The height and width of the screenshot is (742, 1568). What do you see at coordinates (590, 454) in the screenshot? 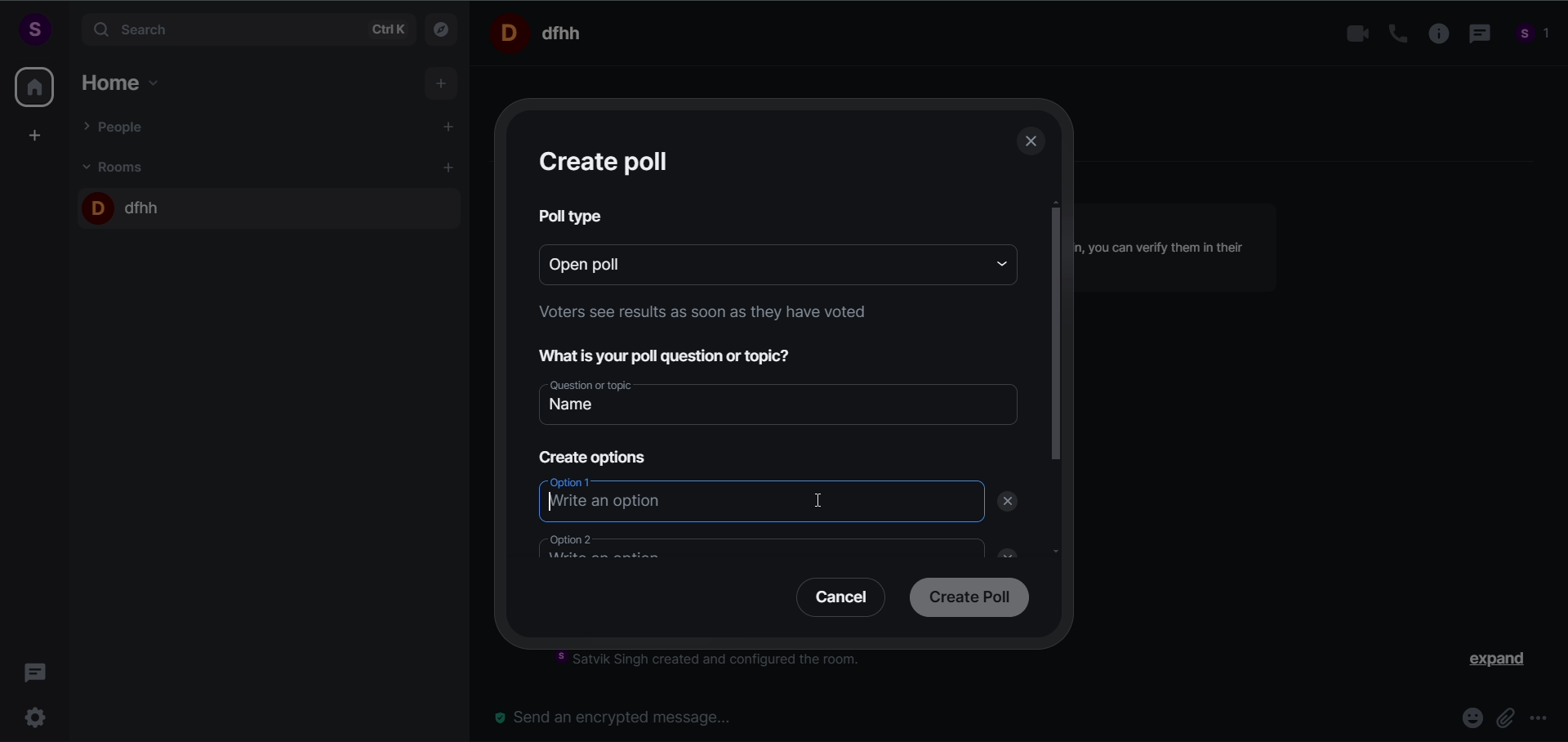
I see `create options` at bounding box center [590, 454].